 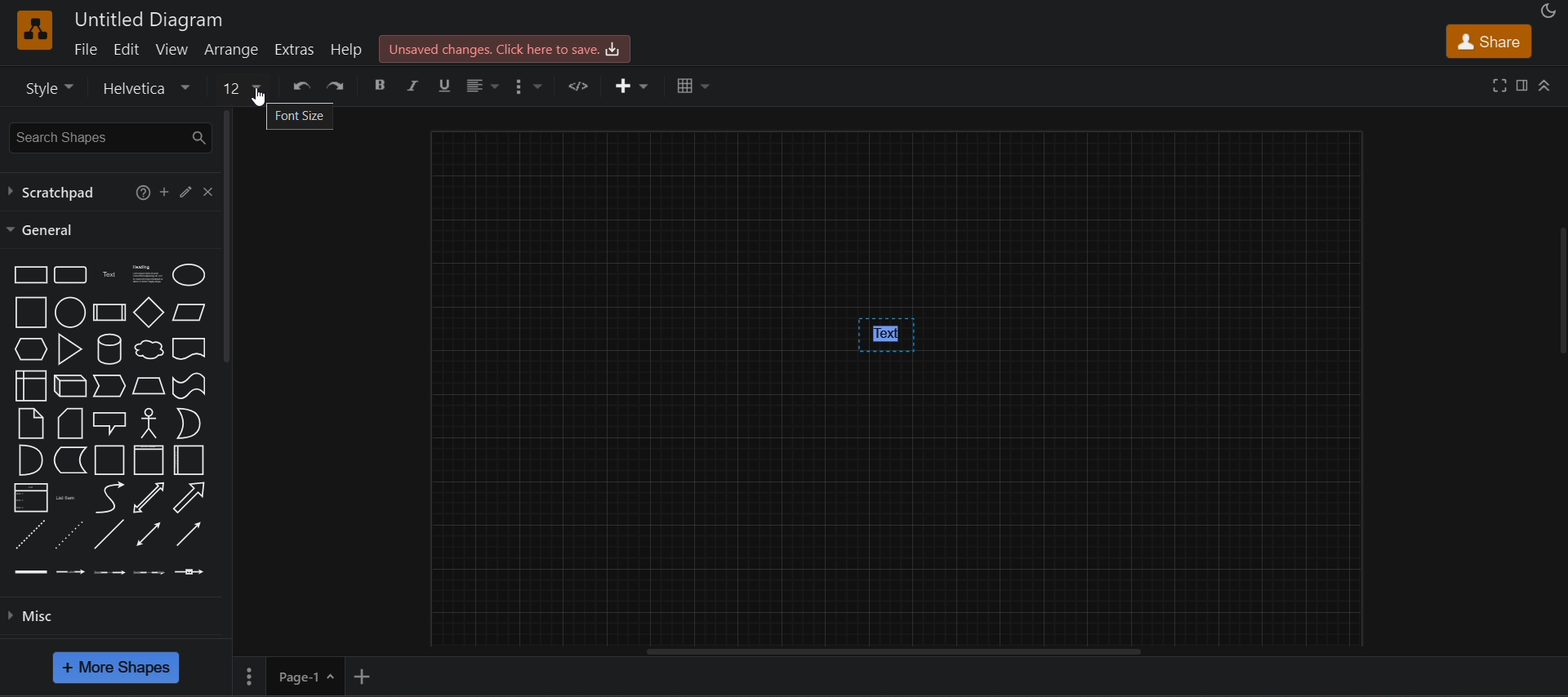 I want to click on font name, so click(x=150, y=87).